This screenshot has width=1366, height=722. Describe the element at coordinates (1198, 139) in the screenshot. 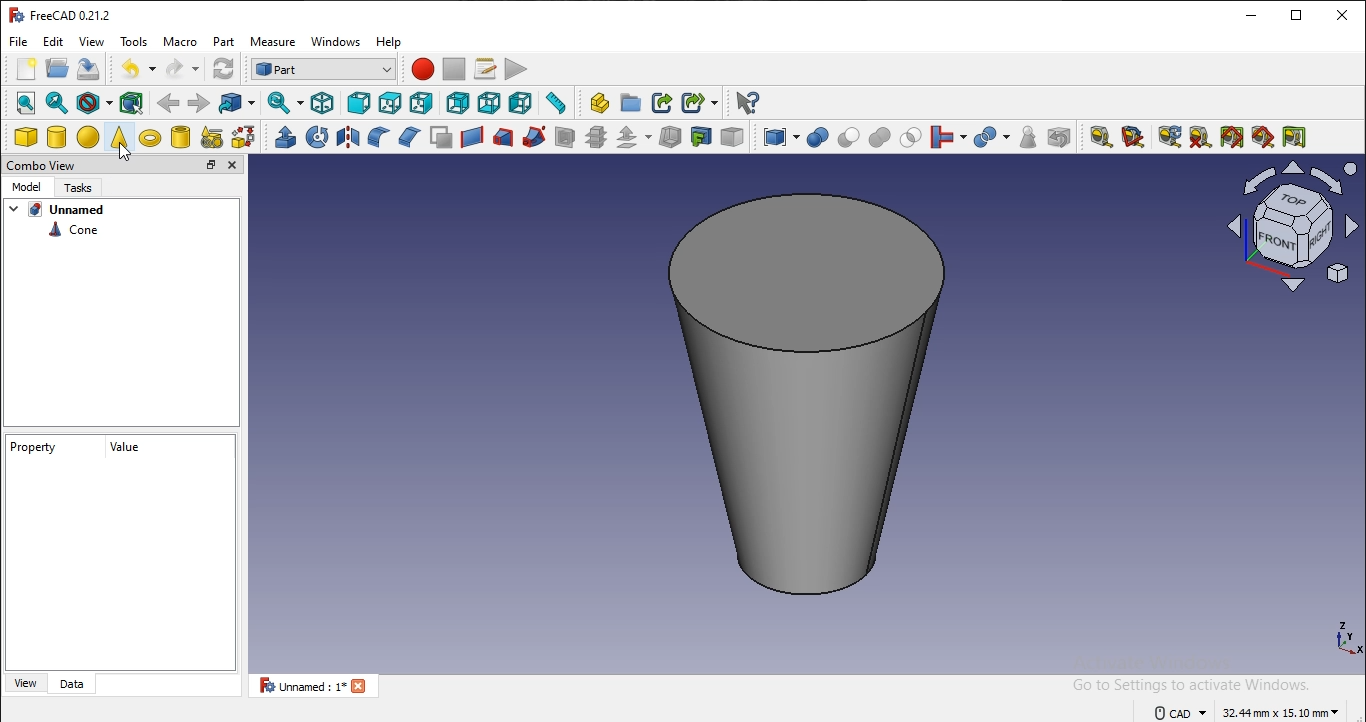

I see `clear all` at that location.